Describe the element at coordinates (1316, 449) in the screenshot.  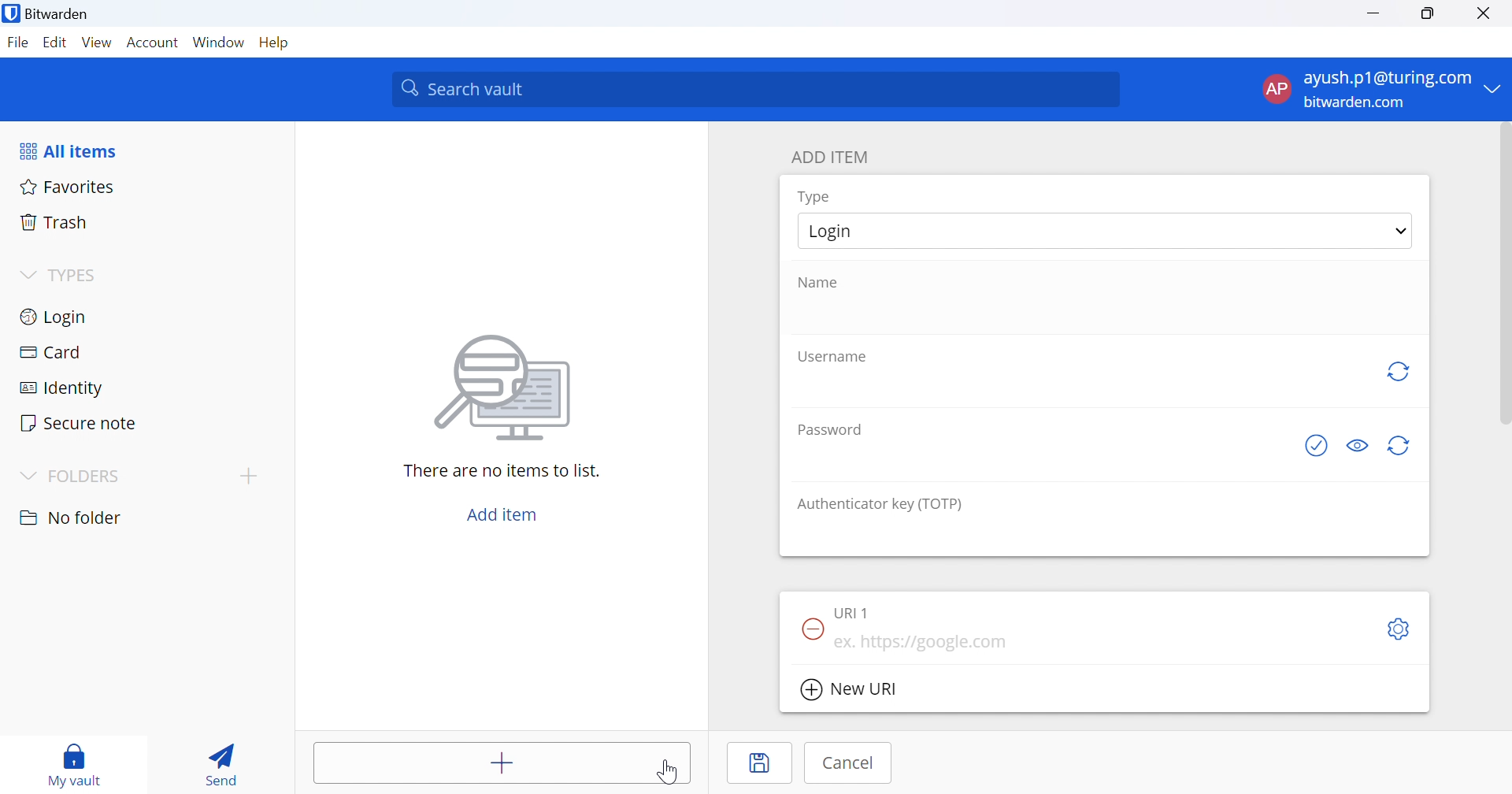
I see `Check if password has been exposed` at that location.